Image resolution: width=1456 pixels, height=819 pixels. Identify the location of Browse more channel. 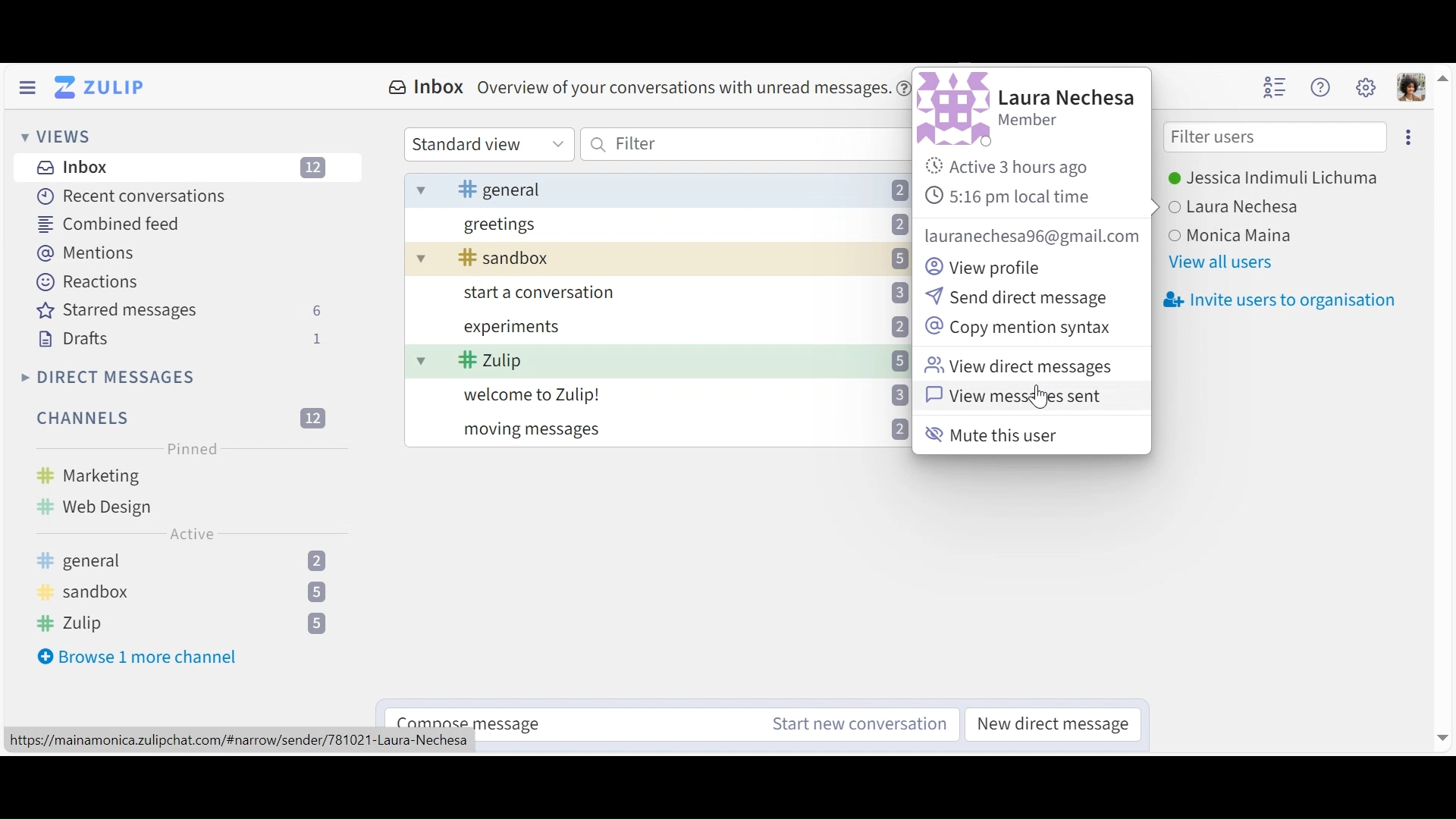
(139, 656).